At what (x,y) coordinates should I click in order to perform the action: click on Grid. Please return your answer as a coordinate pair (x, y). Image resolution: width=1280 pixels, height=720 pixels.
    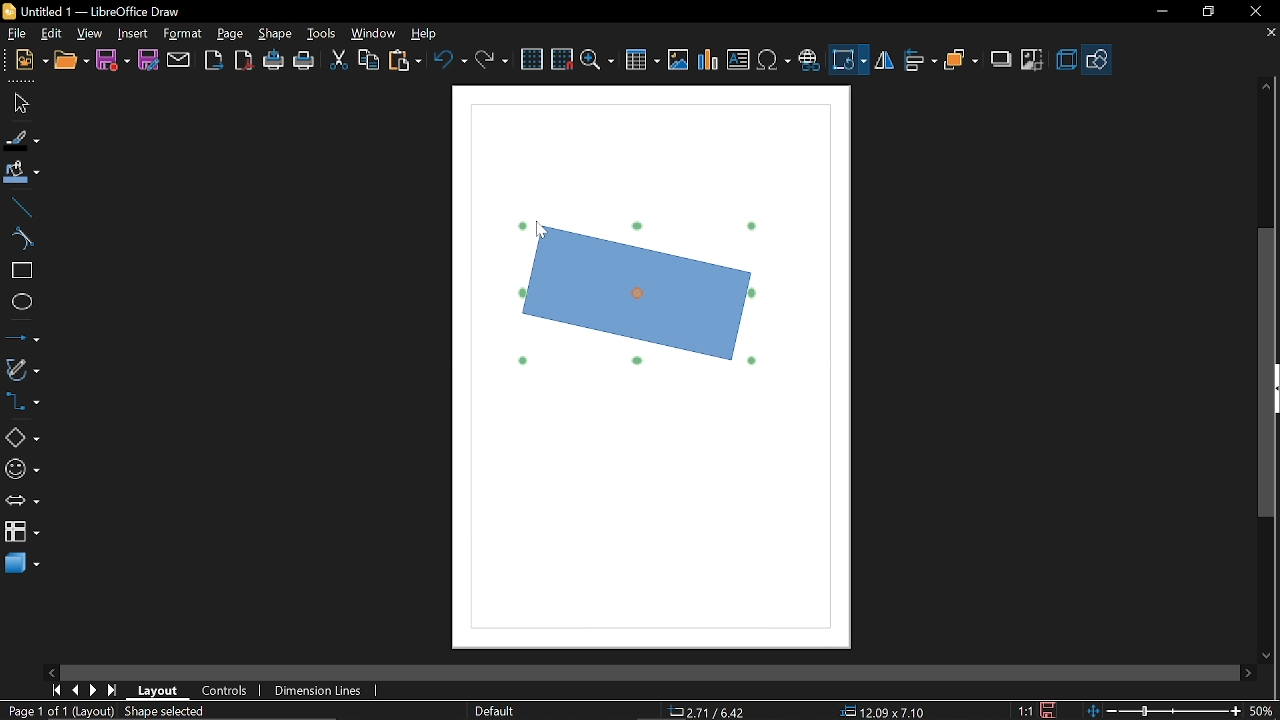
    Looking at the image, I should click on (533, 60).